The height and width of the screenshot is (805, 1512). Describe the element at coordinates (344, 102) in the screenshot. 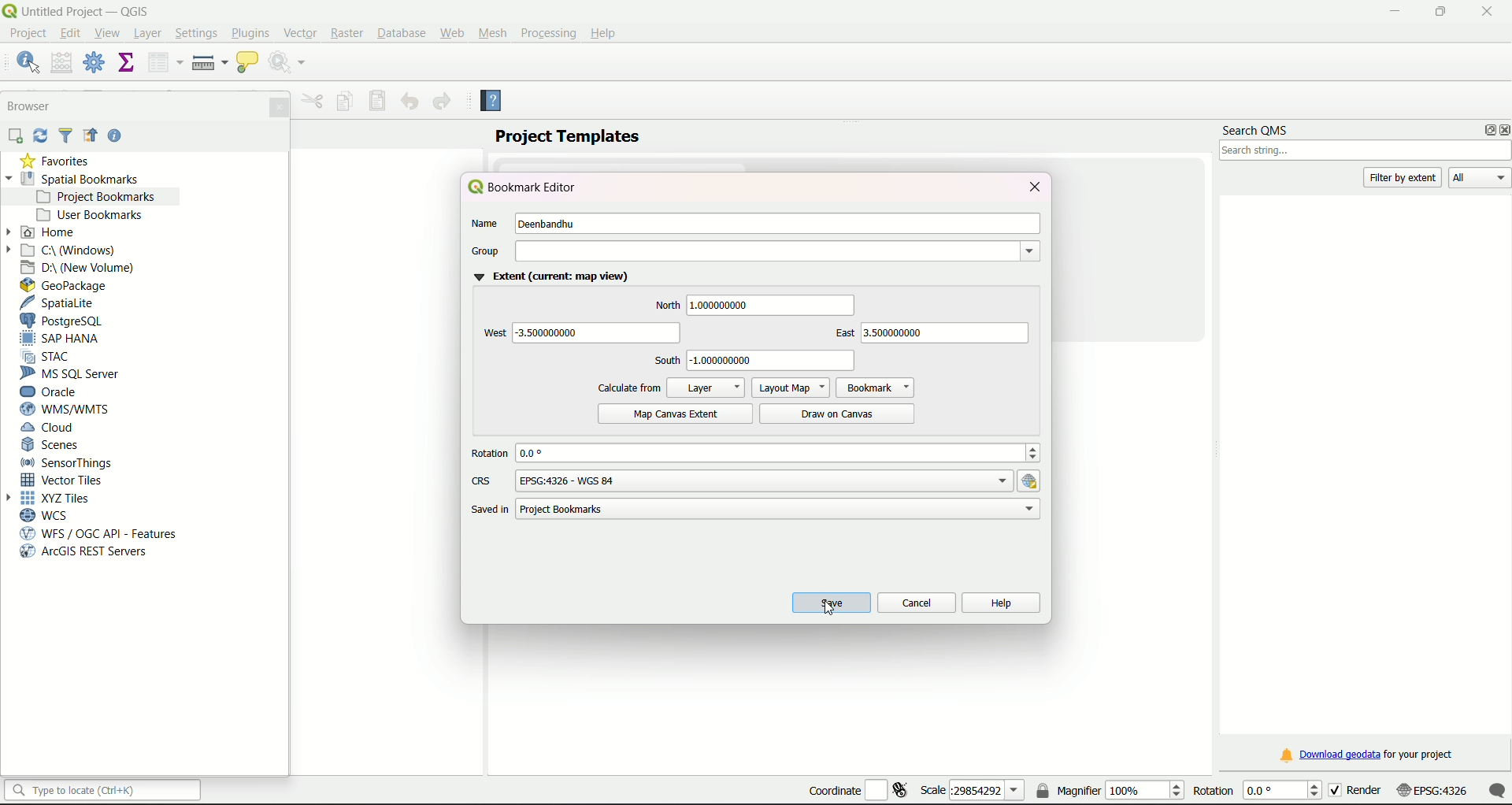

I see `Copy feature` at that location.